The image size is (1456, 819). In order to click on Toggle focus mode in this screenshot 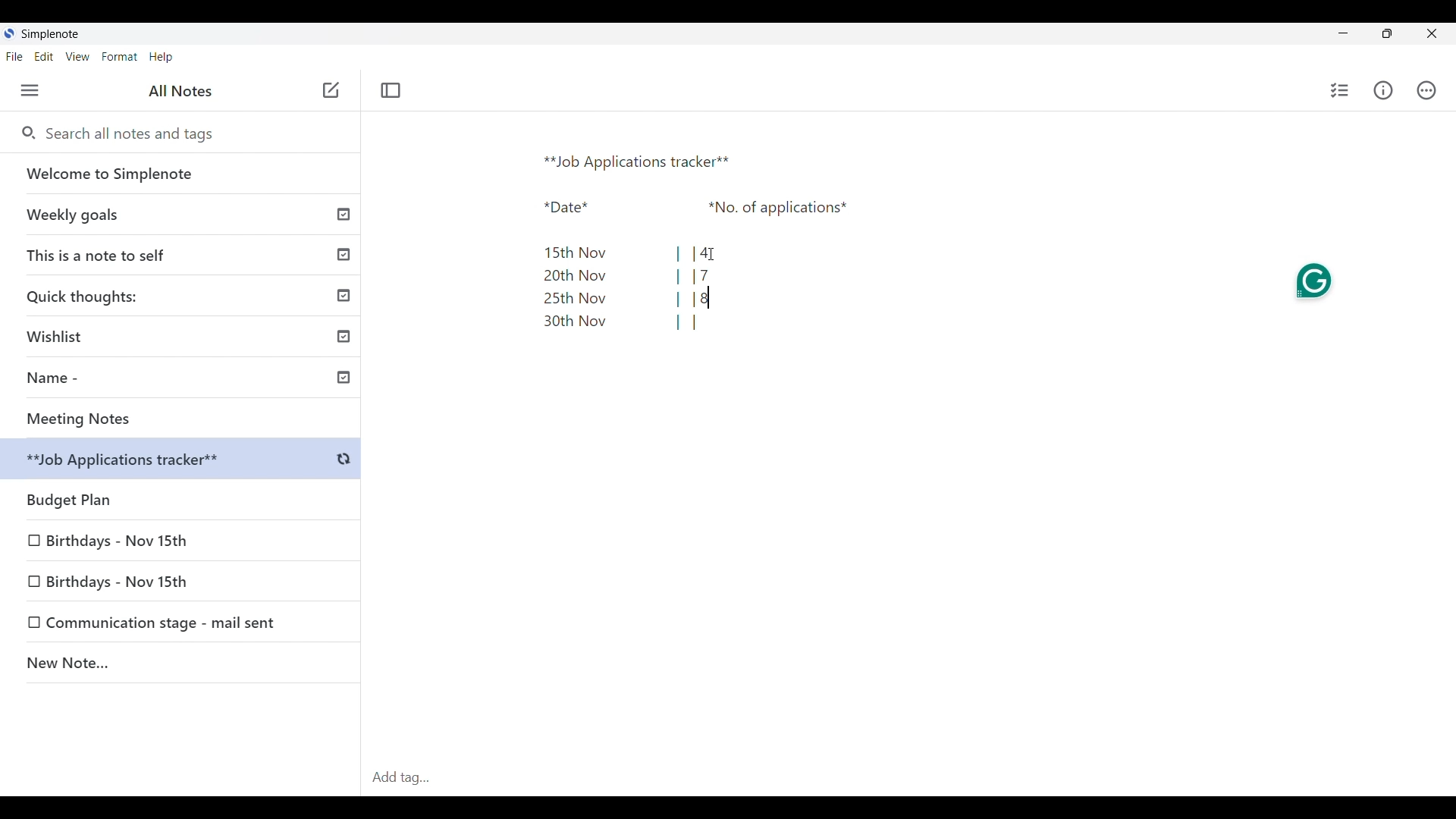, I will do `click(390, 90)`.